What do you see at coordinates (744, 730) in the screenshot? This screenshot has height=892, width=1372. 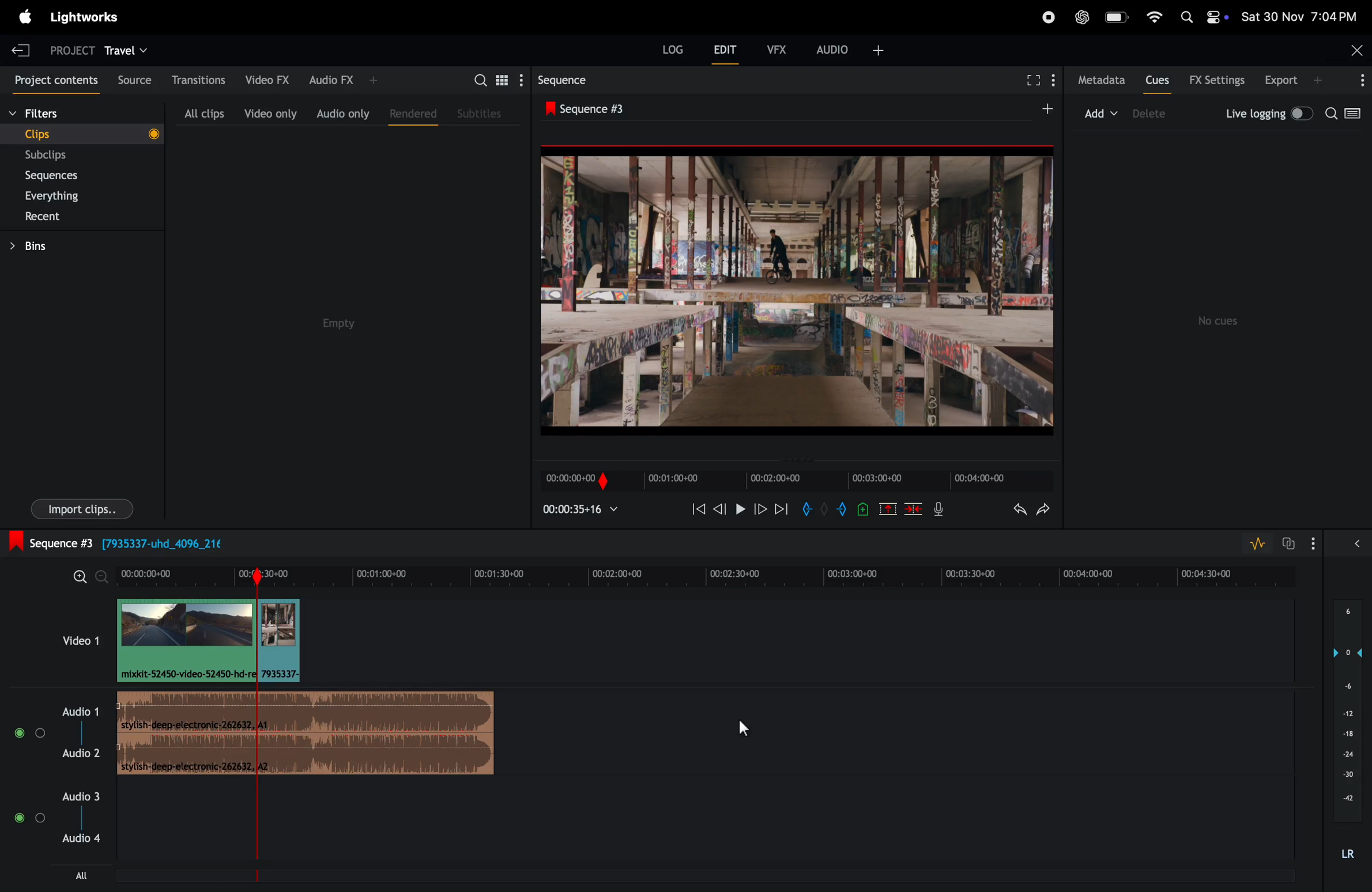 I see `cursor` at bounding box center [744, 730].